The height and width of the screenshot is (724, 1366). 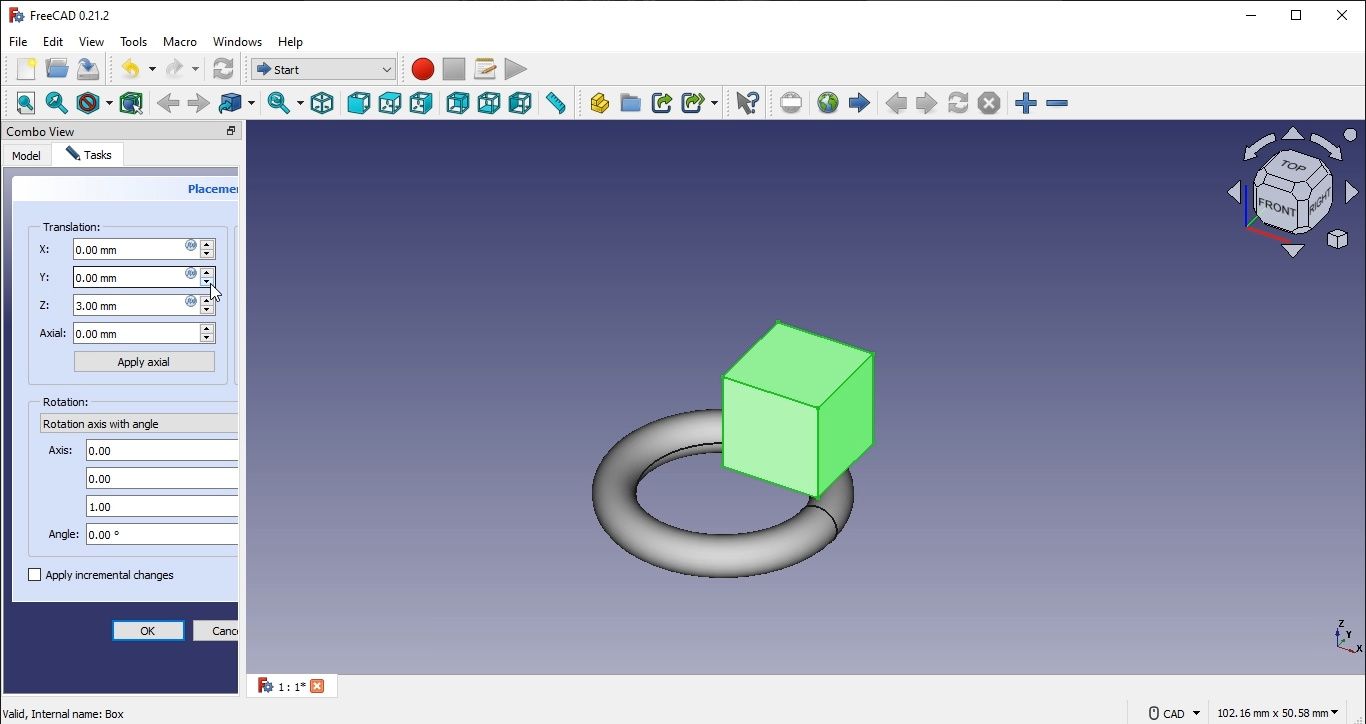 What do you see at coordinates (61, 13) in the screenshot?
I see ` FreeCAD 0.21.2` at bounding box center [61, 13].